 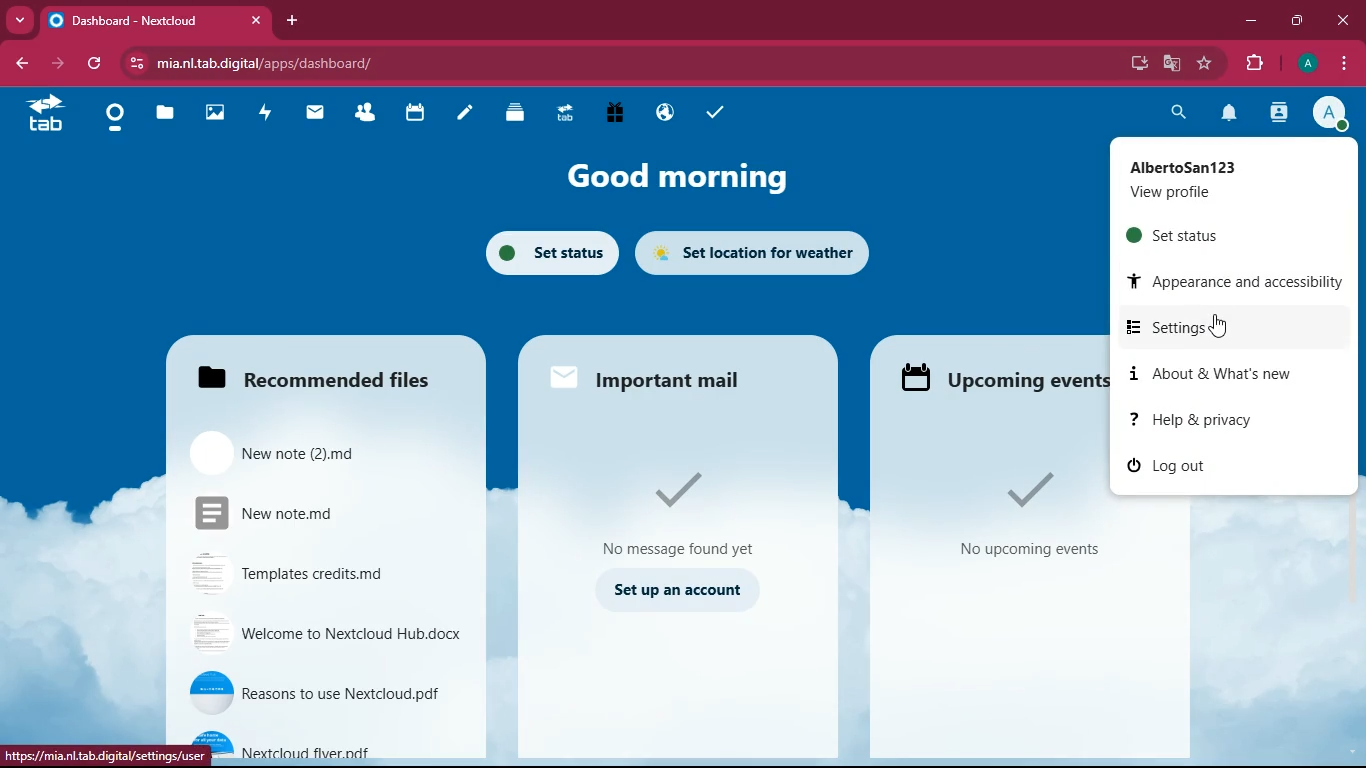 I want to click on important mail, so click(x=667, y=377).